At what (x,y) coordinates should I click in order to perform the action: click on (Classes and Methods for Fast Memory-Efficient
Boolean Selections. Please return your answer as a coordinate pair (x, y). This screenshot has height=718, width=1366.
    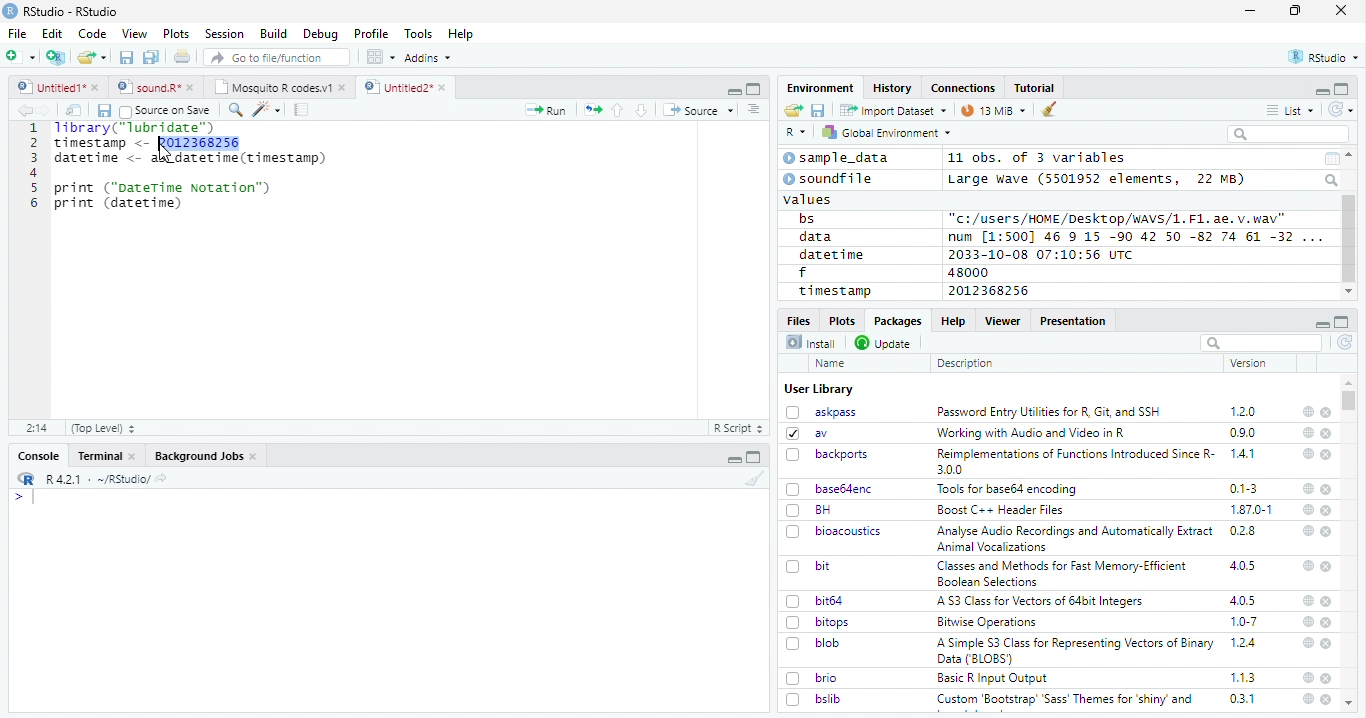
    Looking at the image, I should click on (1064, 573).